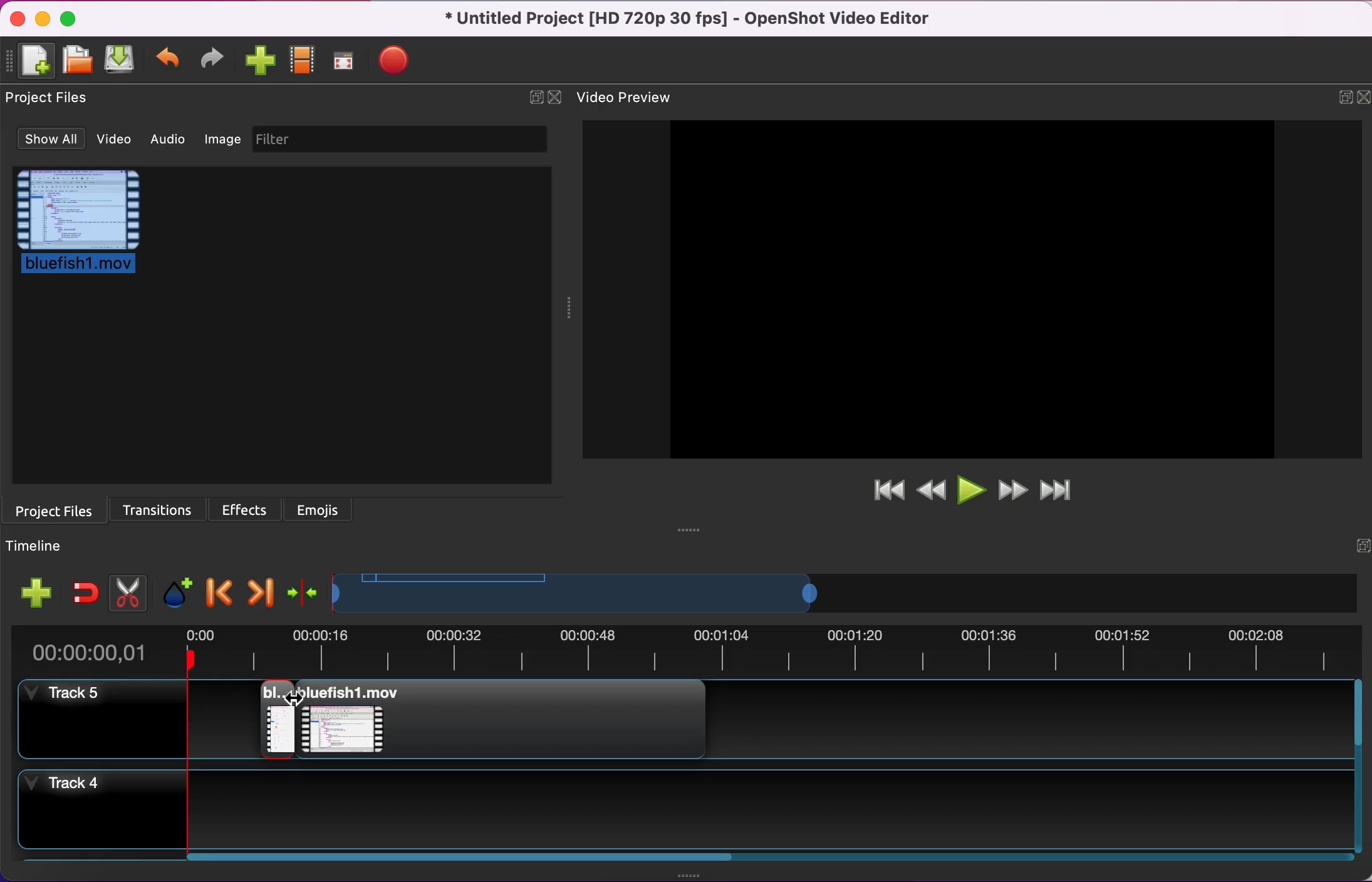 This screenshot has height=882, width=1372. I want to click on add track, so click(34, 590).